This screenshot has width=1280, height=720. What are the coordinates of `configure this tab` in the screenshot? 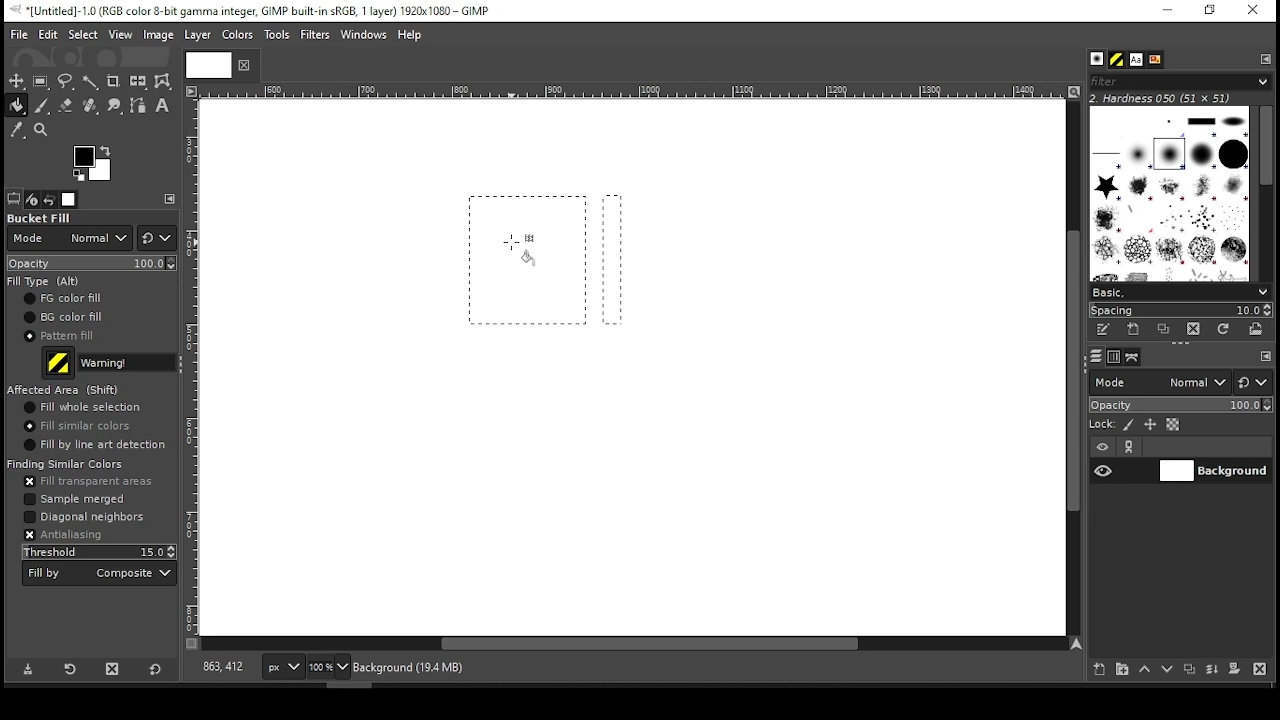 It's located at (1266, 358).